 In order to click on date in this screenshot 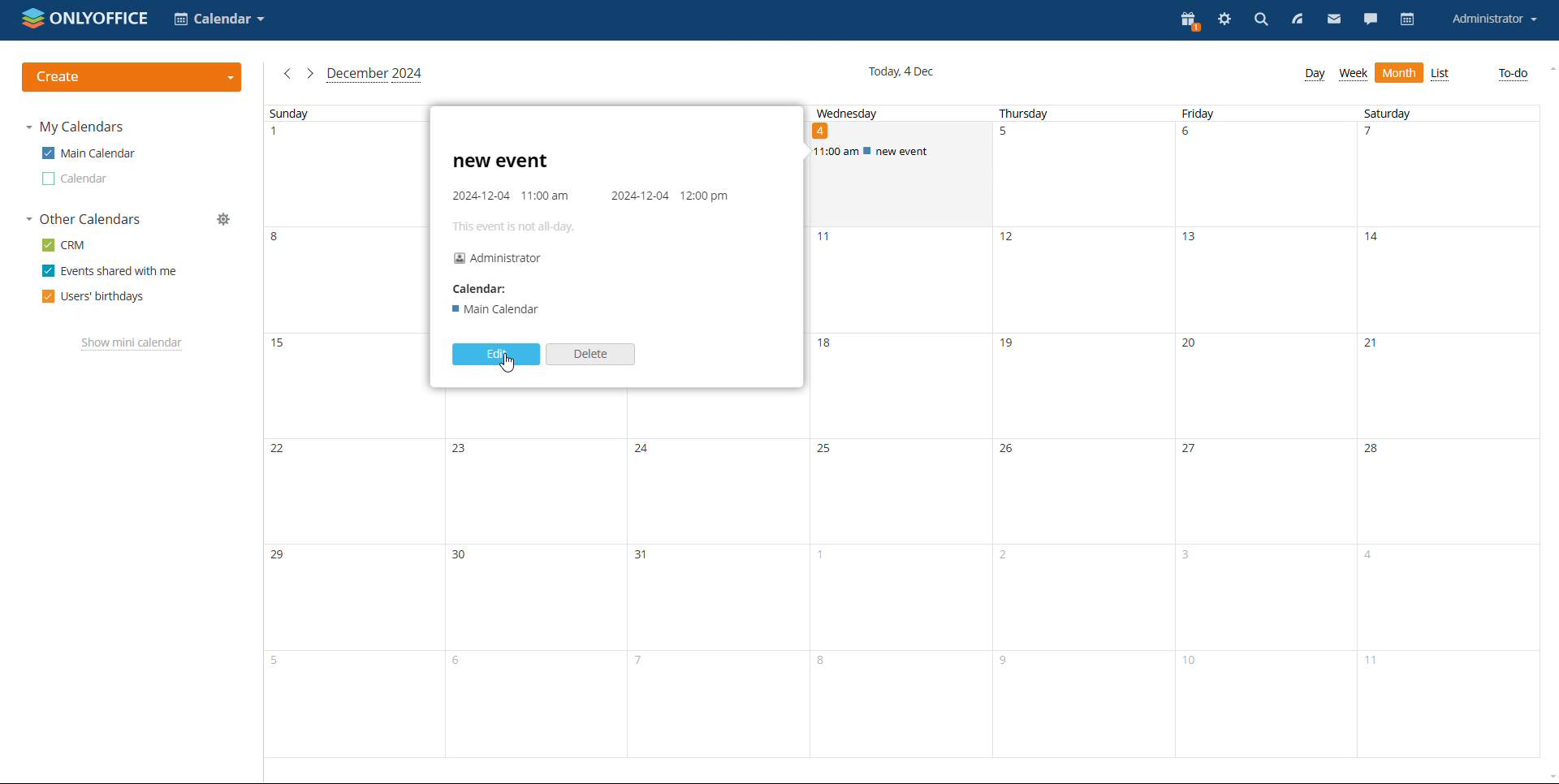, I will do `click(824, 131)`.